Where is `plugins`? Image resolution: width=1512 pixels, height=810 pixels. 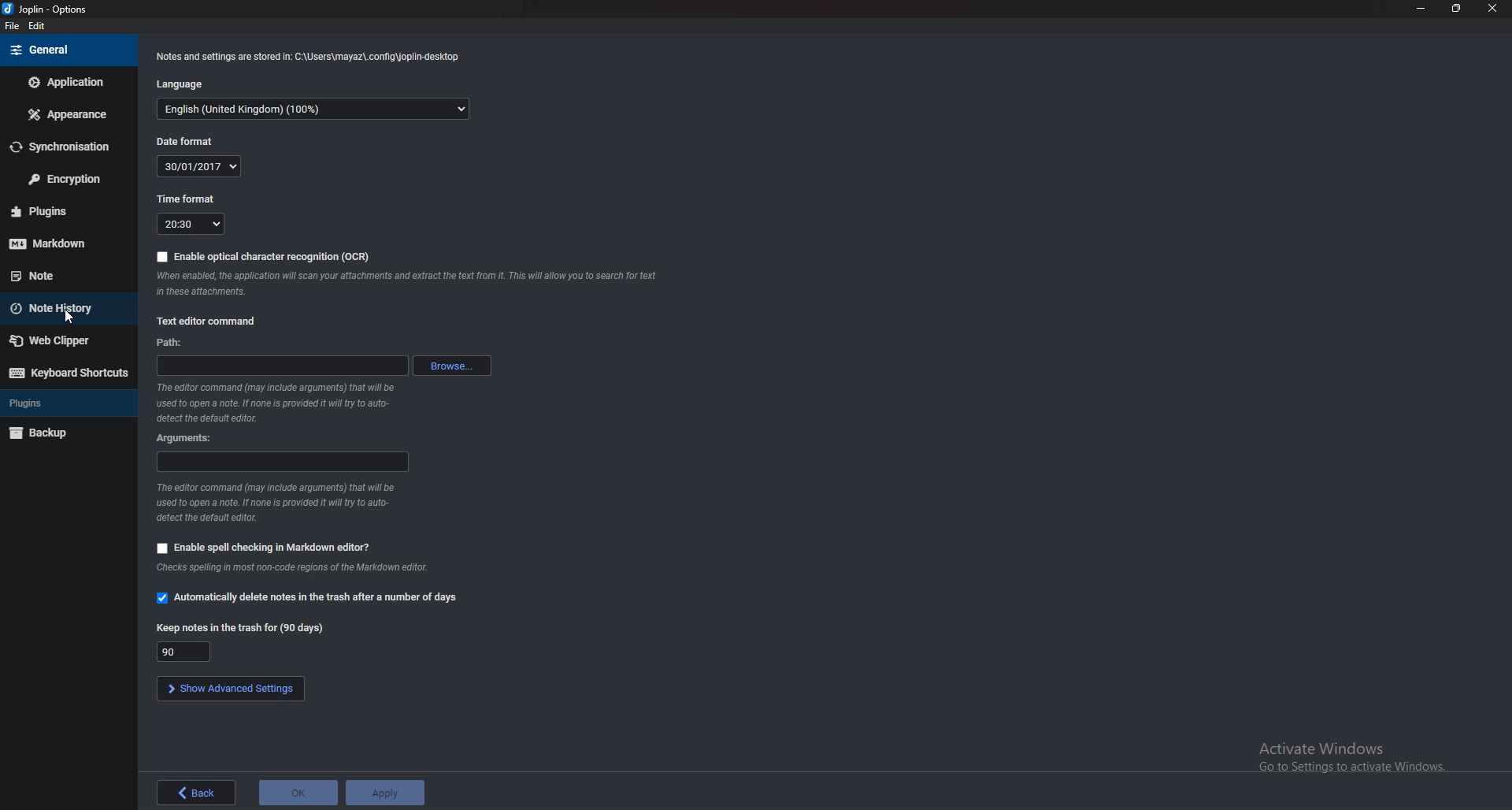 plugins is located at coordinates (65, 210).